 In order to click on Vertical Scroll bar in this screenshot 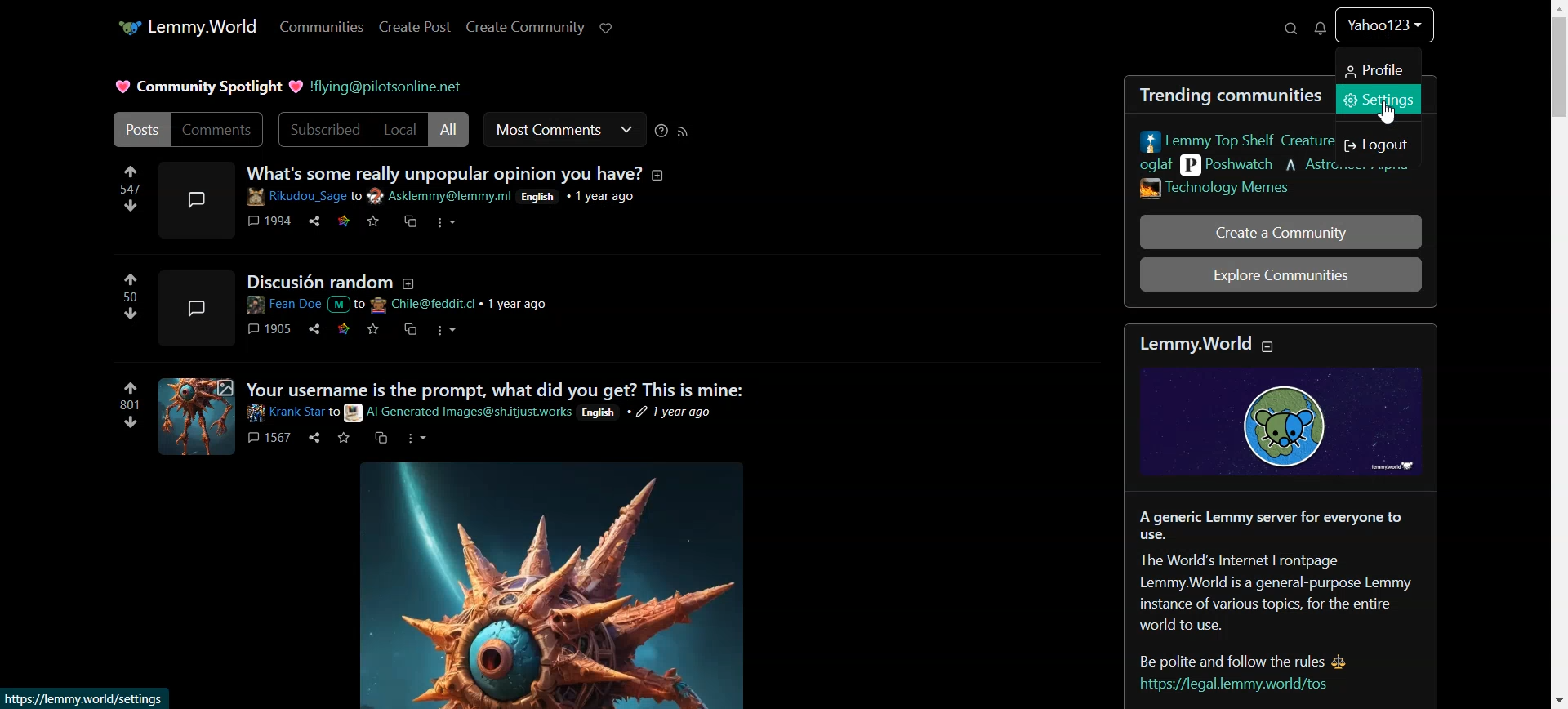, I will do `click(1557, 354)`.